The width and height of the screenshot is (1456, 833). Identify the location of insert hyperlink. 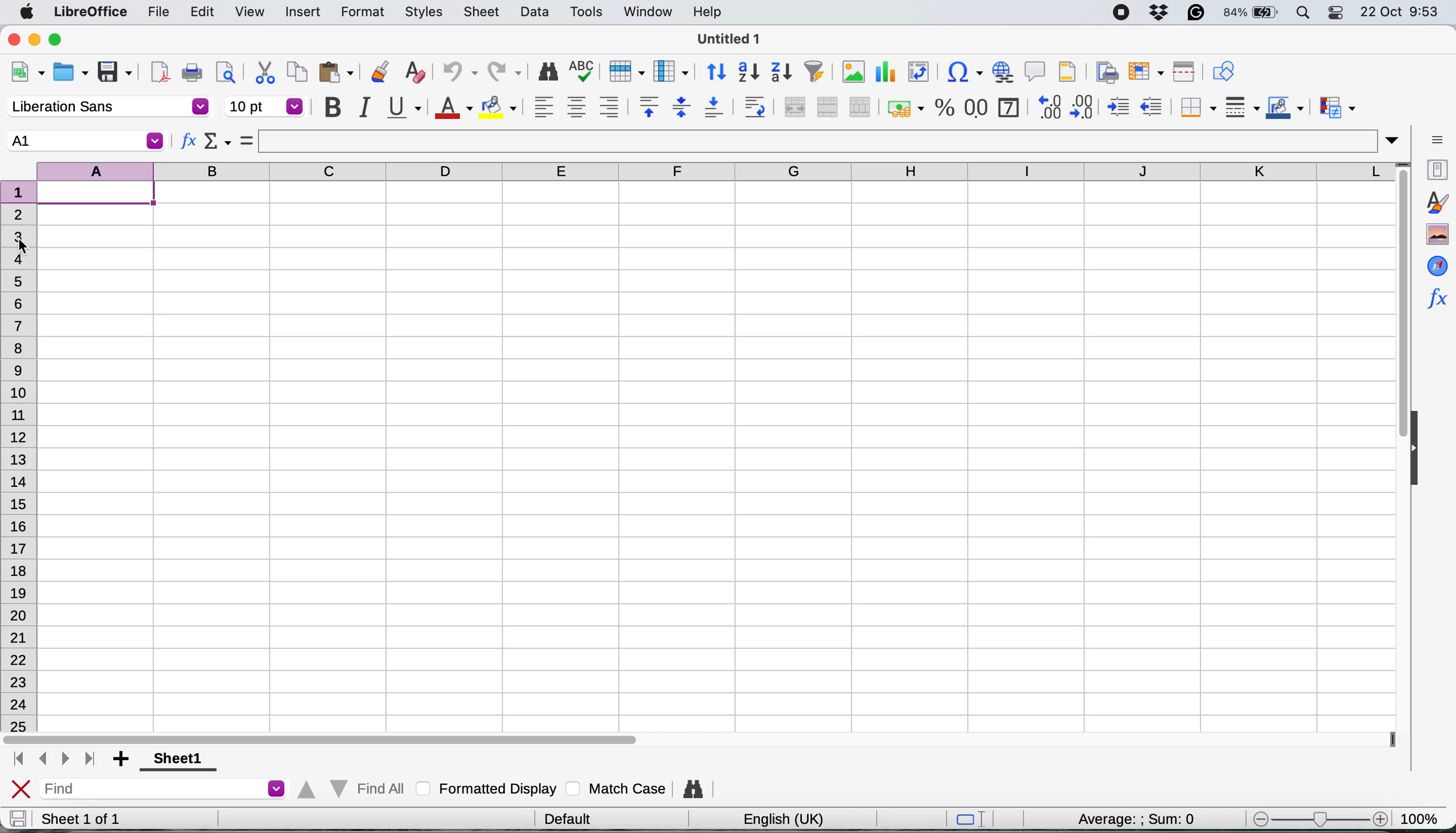
(1001, 71).